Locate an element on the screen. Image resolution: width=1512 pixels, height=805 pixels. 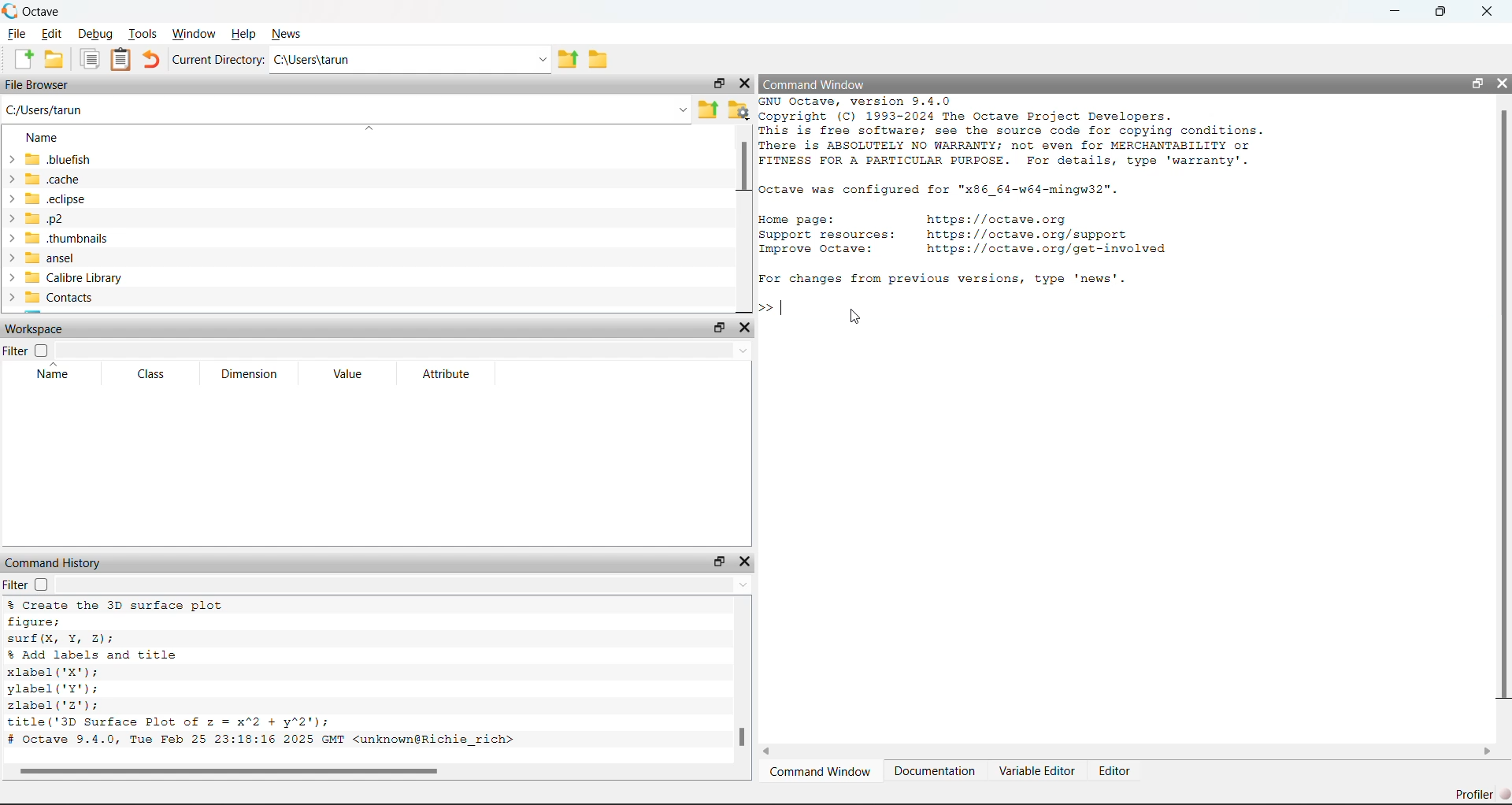
Editor is located at coordinates (1112, 771).